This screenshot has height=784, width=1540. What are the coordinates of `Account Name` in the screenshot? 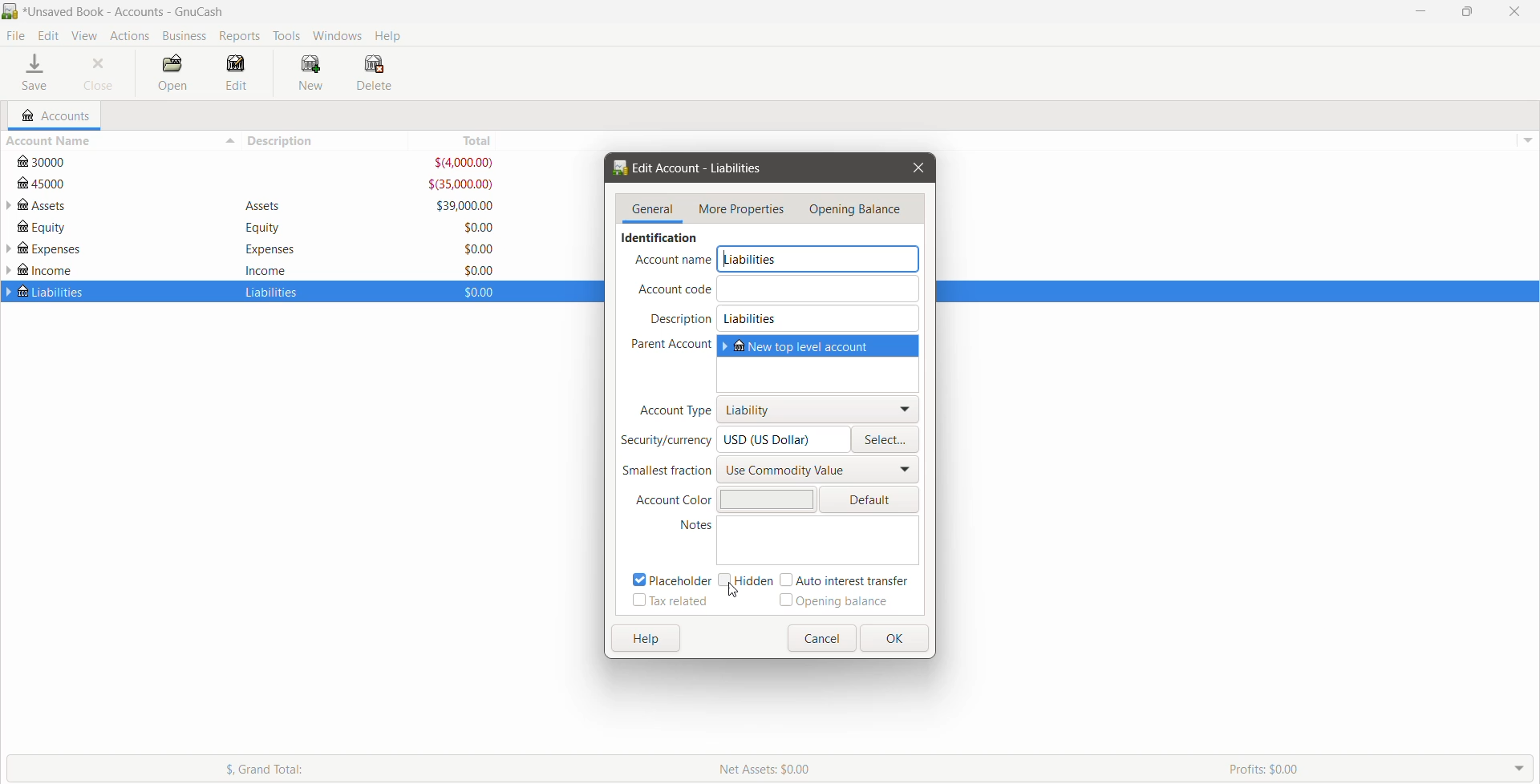 It's located at (120, 141).